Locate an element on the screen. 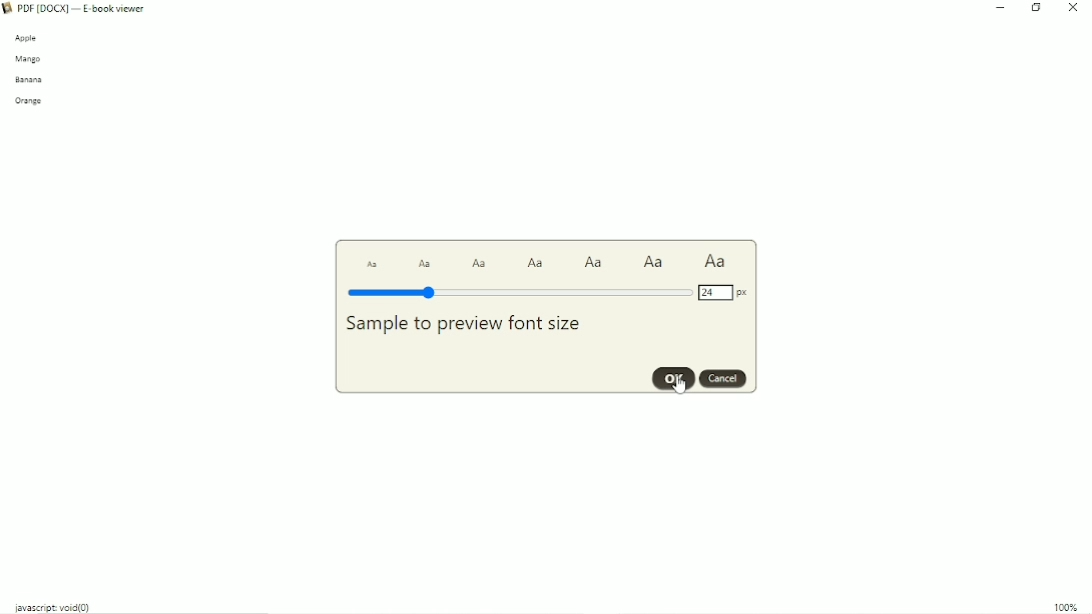 The width and height of the screenshot is (1092, 614). javascript.void(0) is located at coordinates (55, 606).